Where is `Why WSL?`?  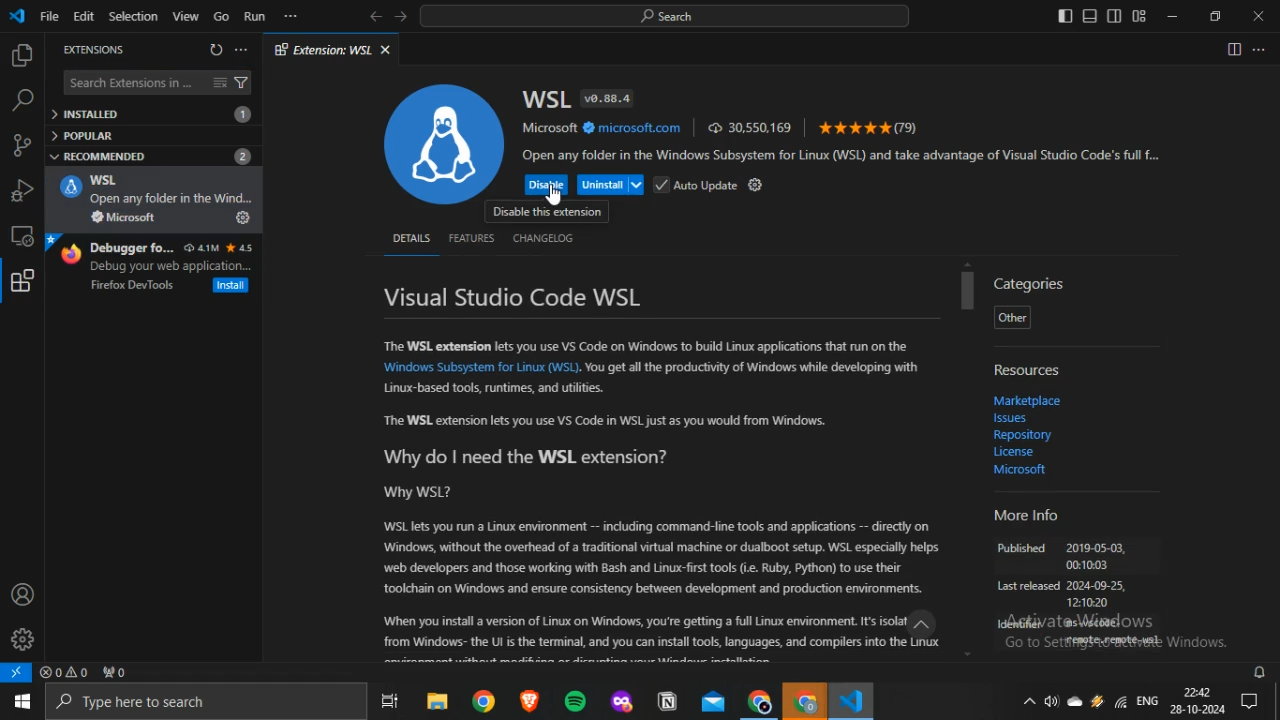
Why WSL? is located at coordinates (419, 495).